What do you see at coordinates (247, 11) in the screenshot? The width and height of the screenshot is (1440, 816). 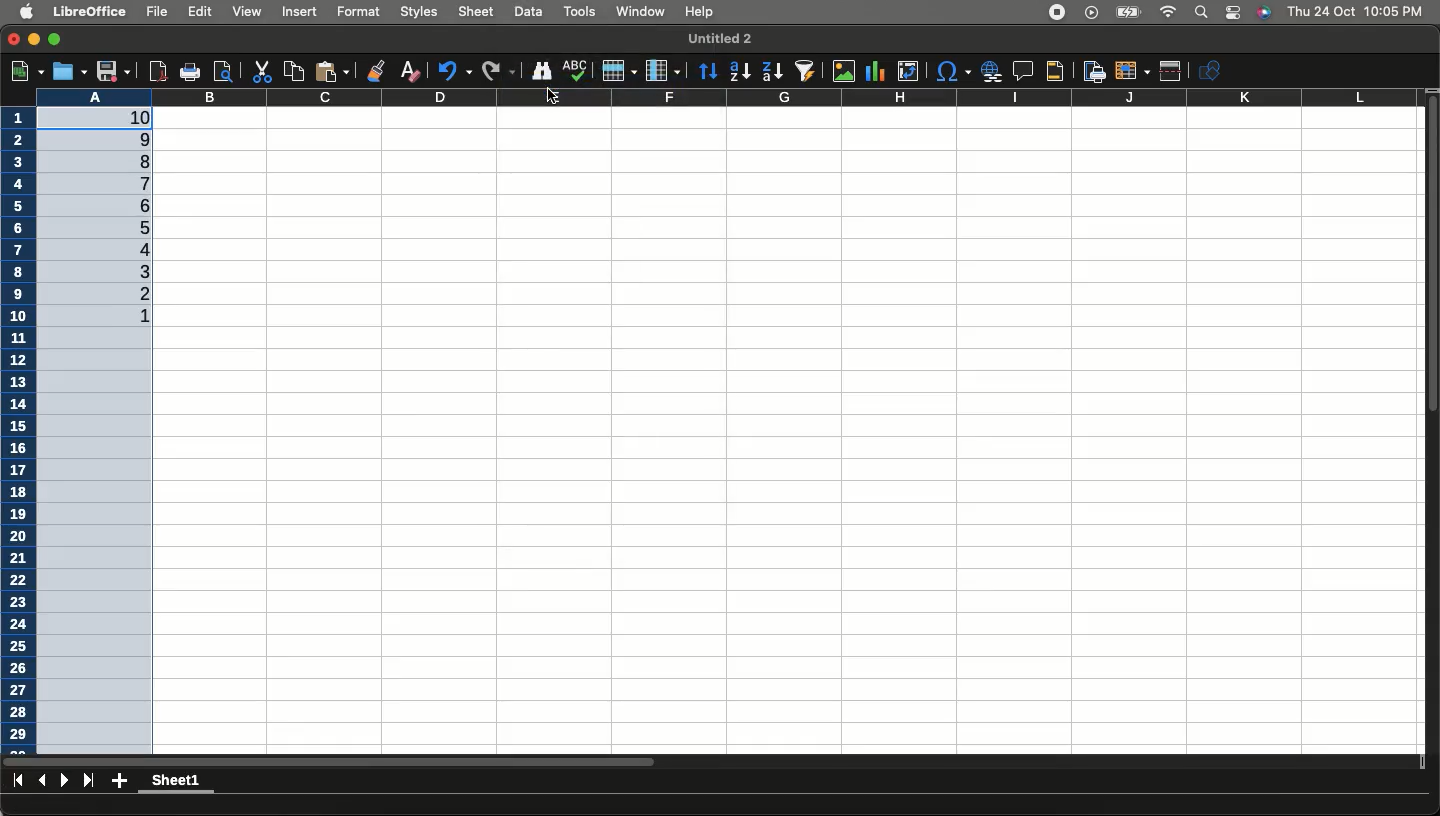 I see `View` at bounding box center [247, 11].